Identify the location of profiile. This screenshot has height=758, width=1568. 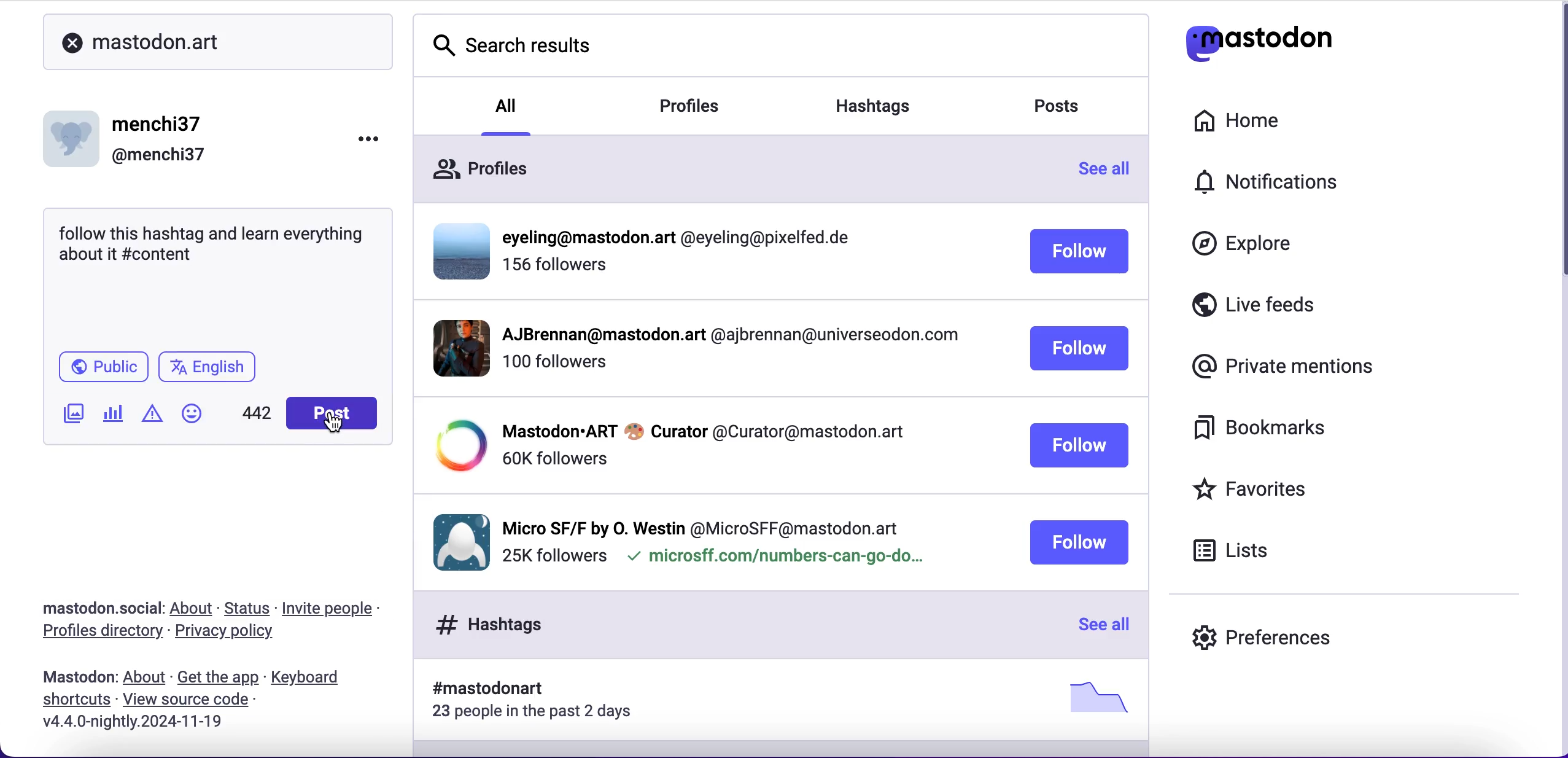
(683, 238).